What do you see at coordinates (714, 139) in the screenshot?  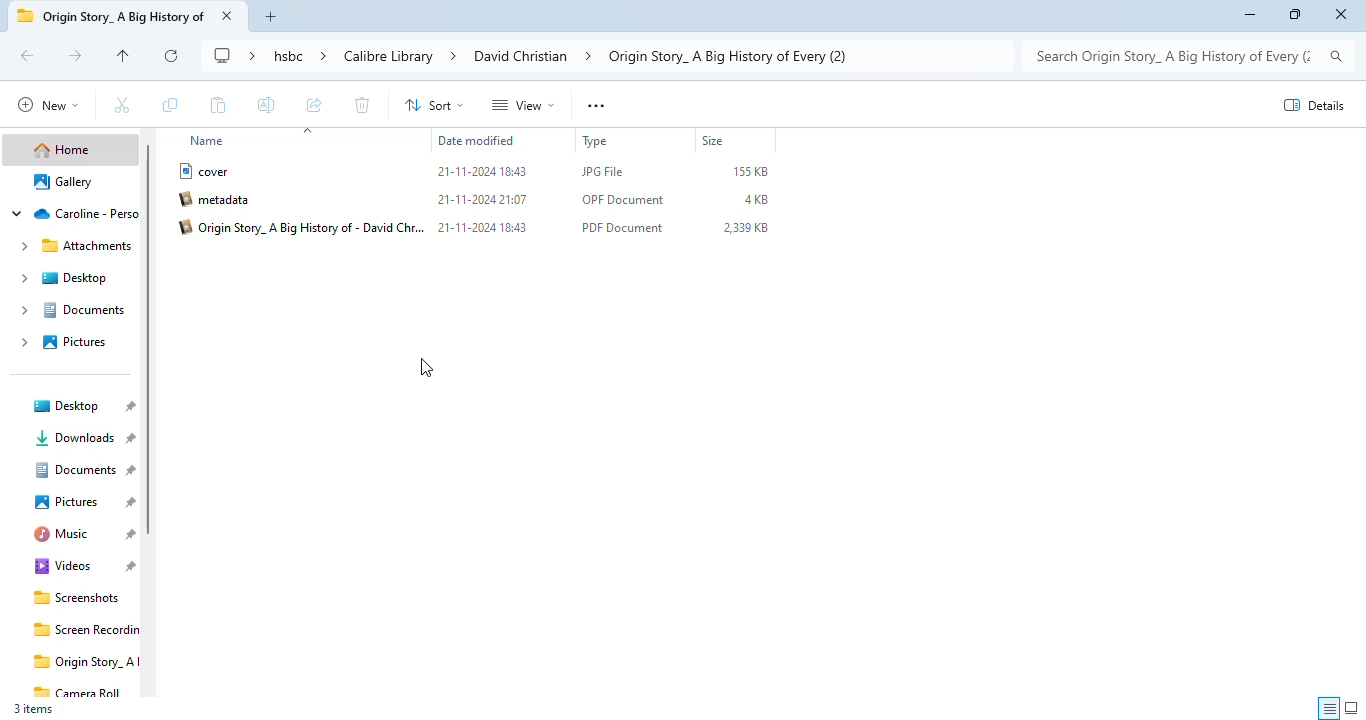 I see `size` at bounding box center [714, 139].